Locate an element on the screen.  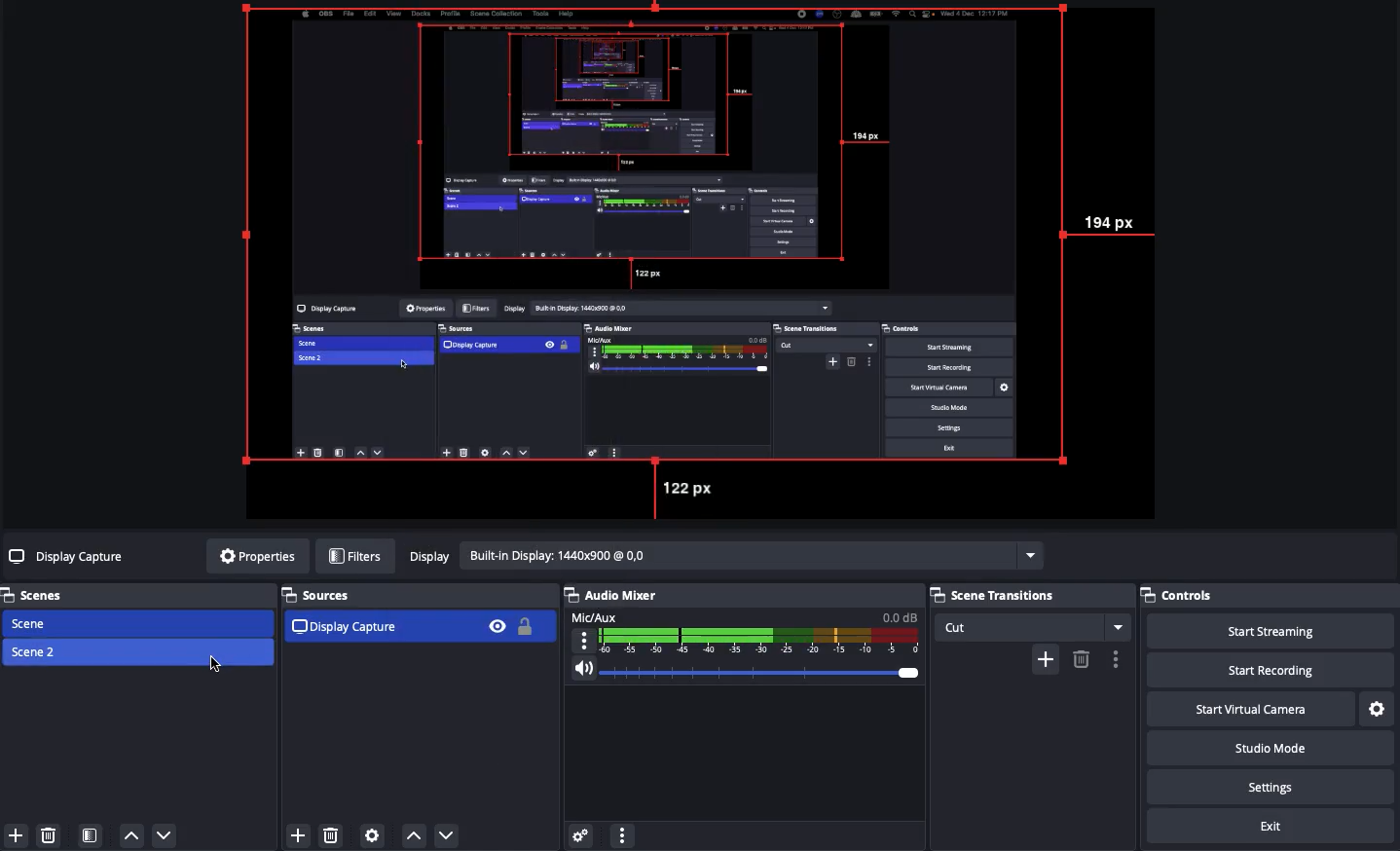
Audio mixer is located at coordinates (613, 595).